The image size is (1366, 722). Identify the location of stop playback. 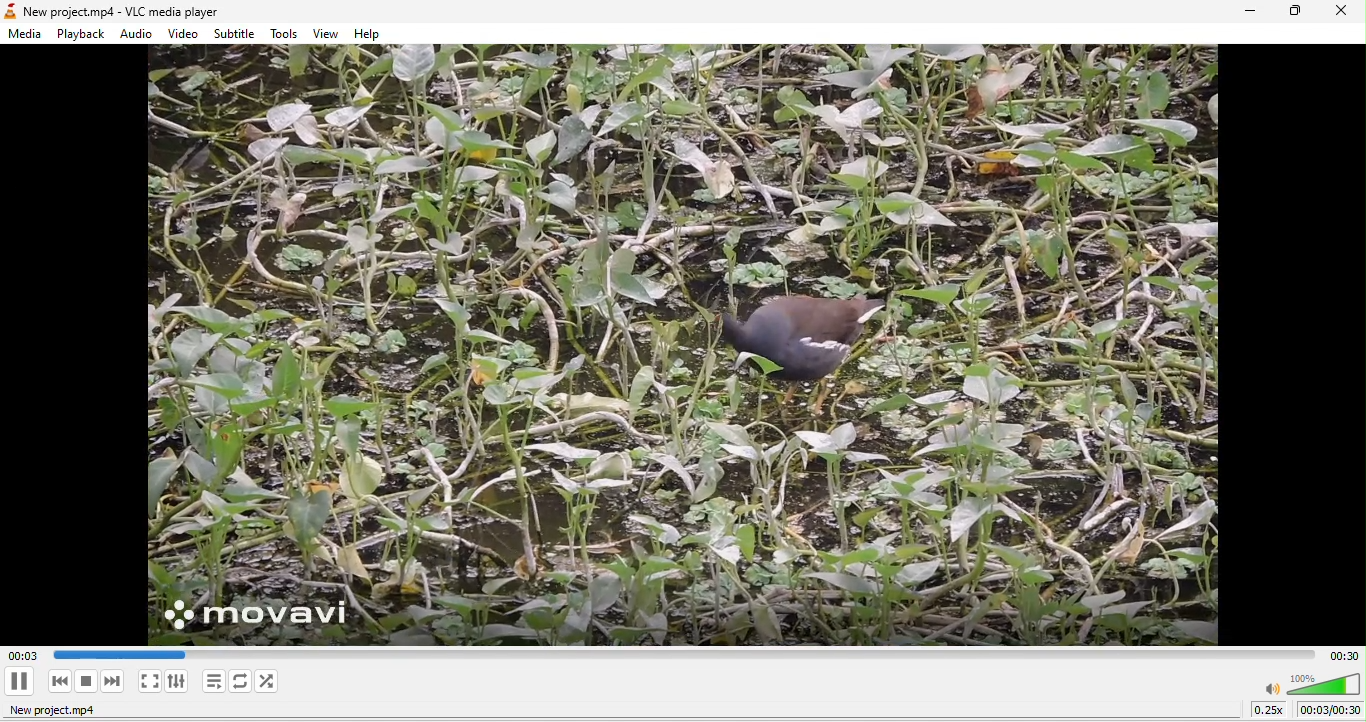
(87, 682).